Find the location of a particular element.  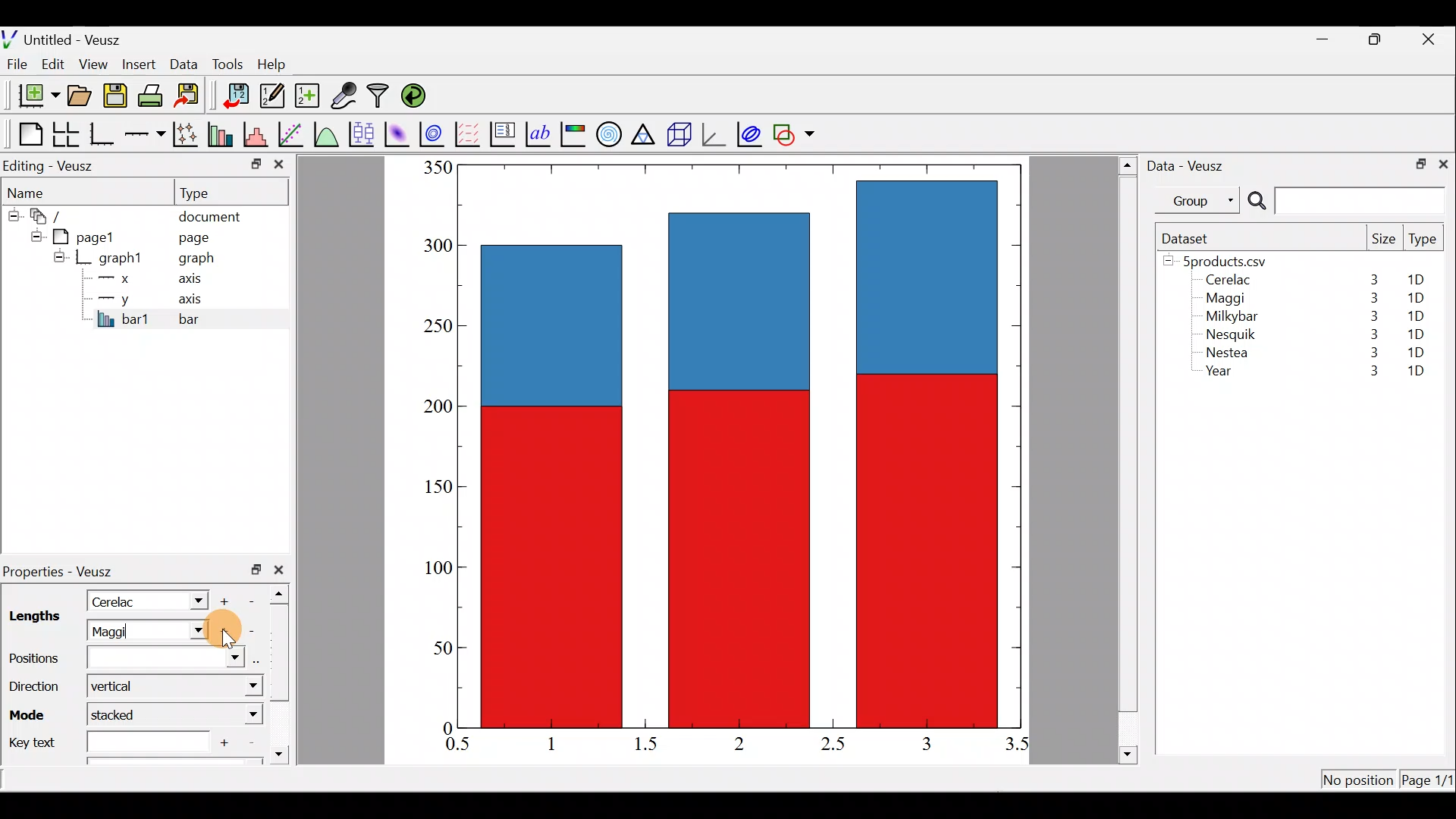

close is located at coordinates (1443, 163).